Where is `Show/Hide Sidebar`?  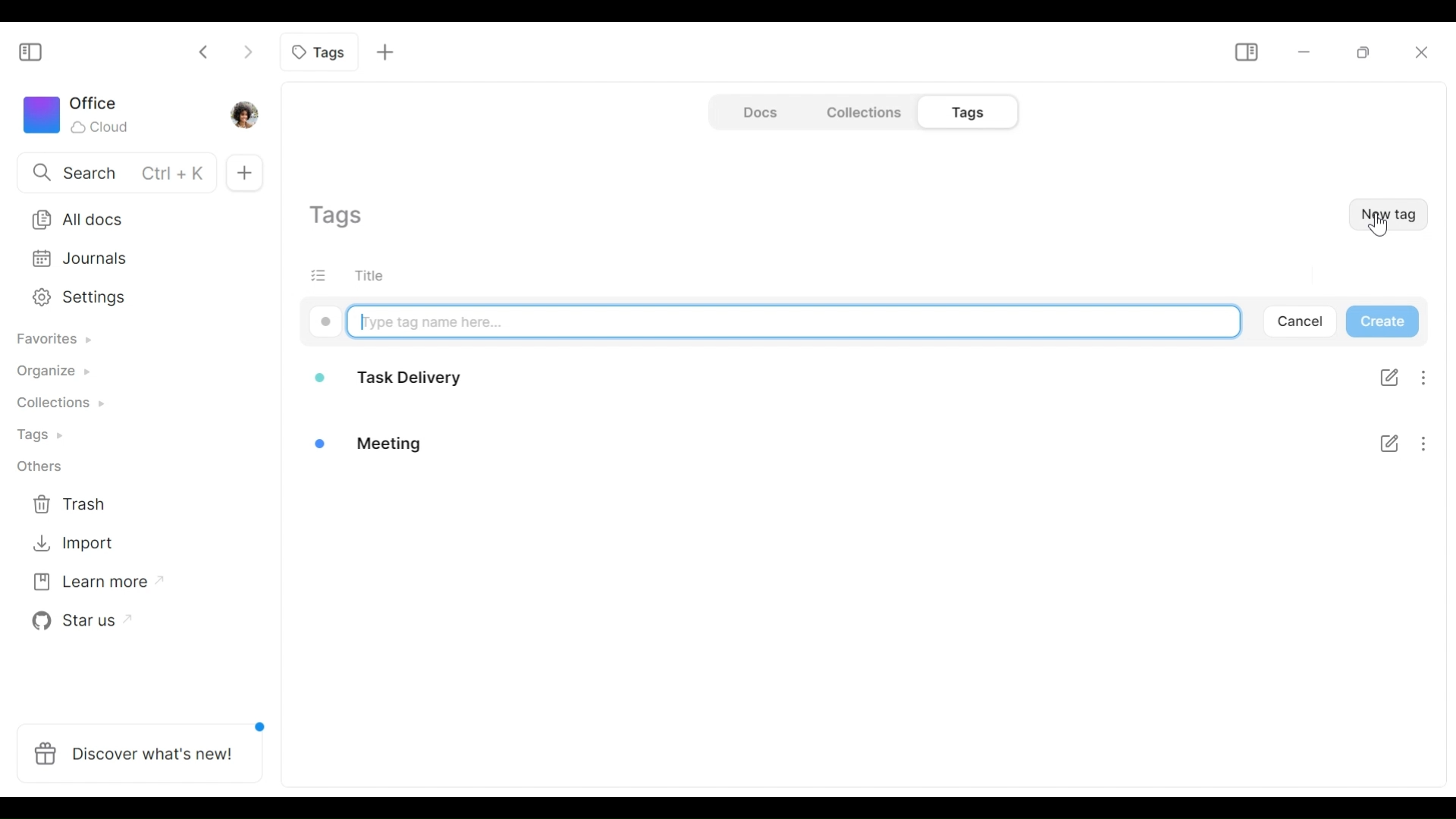
Show/Hide Sidebar is located at coordinates (36, 49).